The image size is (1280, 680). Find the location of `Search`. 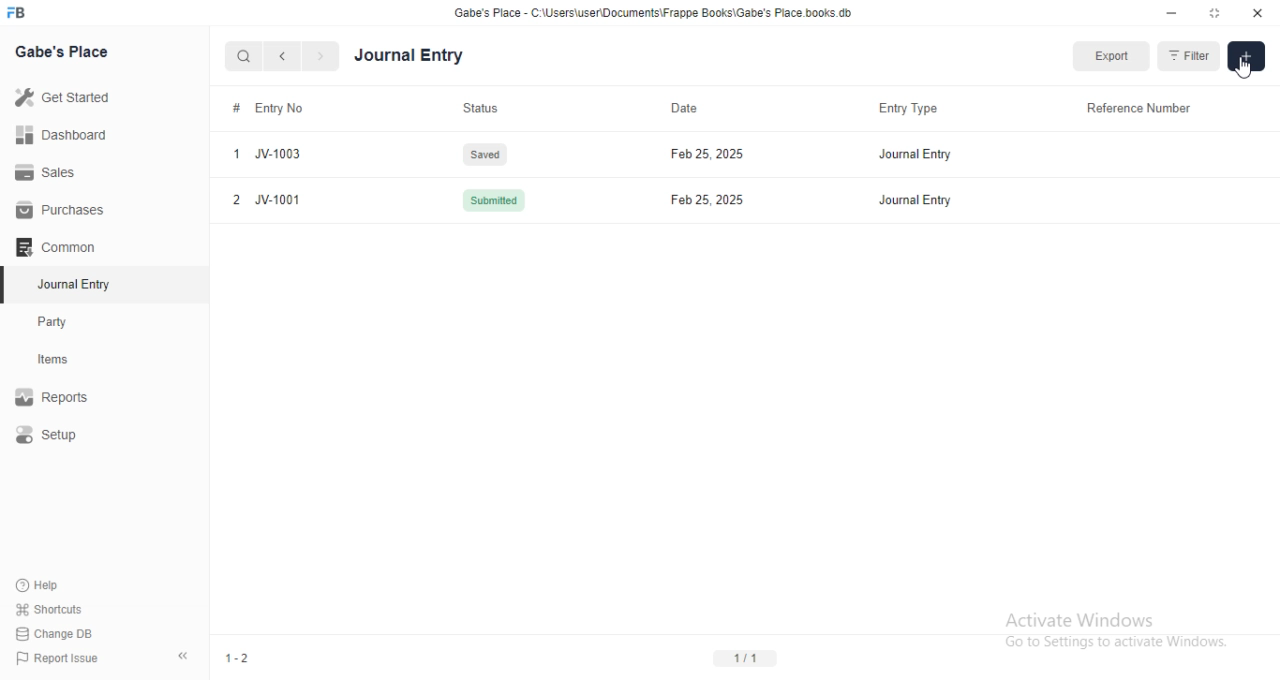

Search is located at coordinates (239, 56).